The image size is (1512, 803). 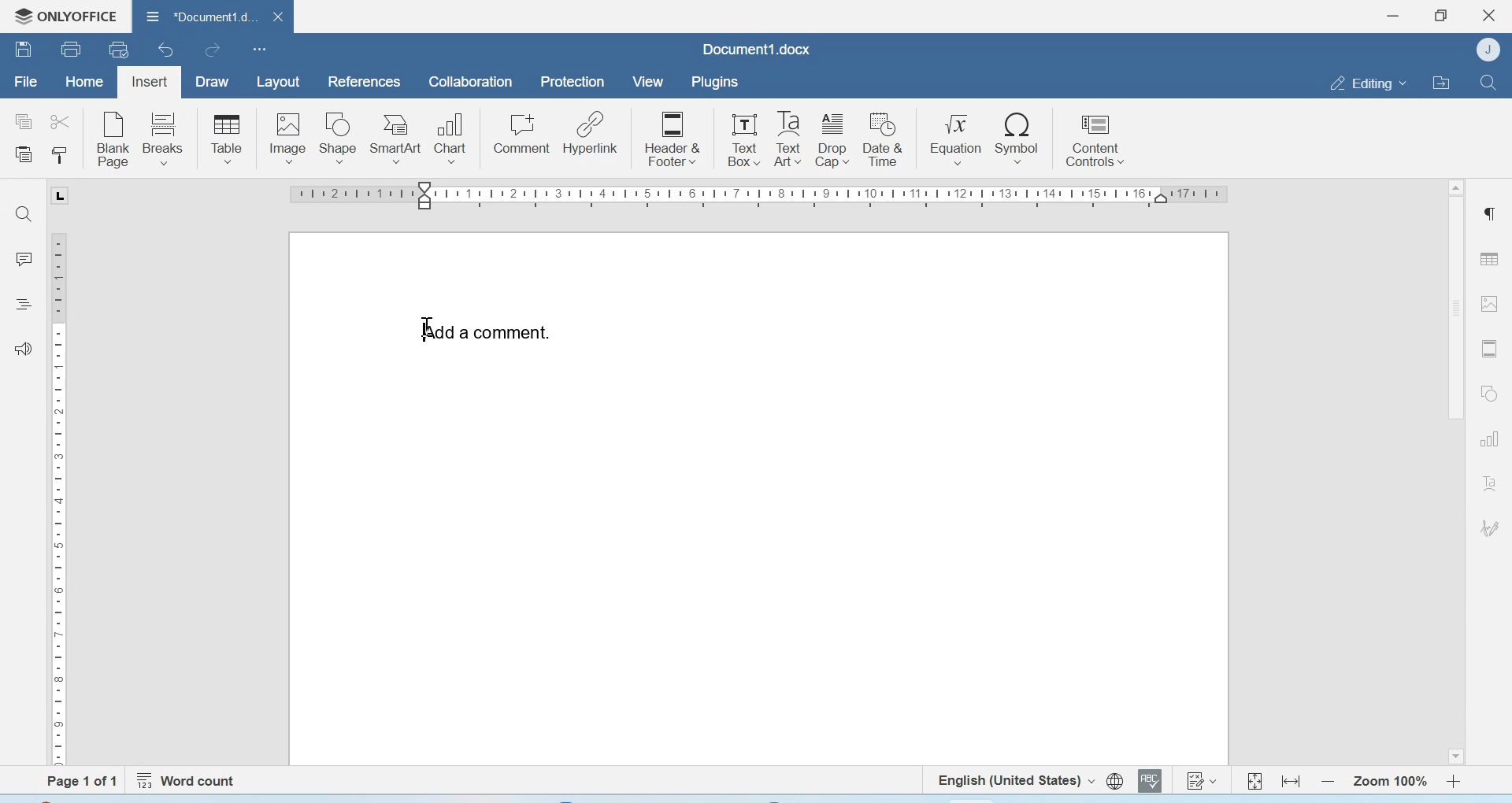 What do you see at coordinates (573, 83) in the screenshot?
I see `Protection` at bounding box center [573, 83].